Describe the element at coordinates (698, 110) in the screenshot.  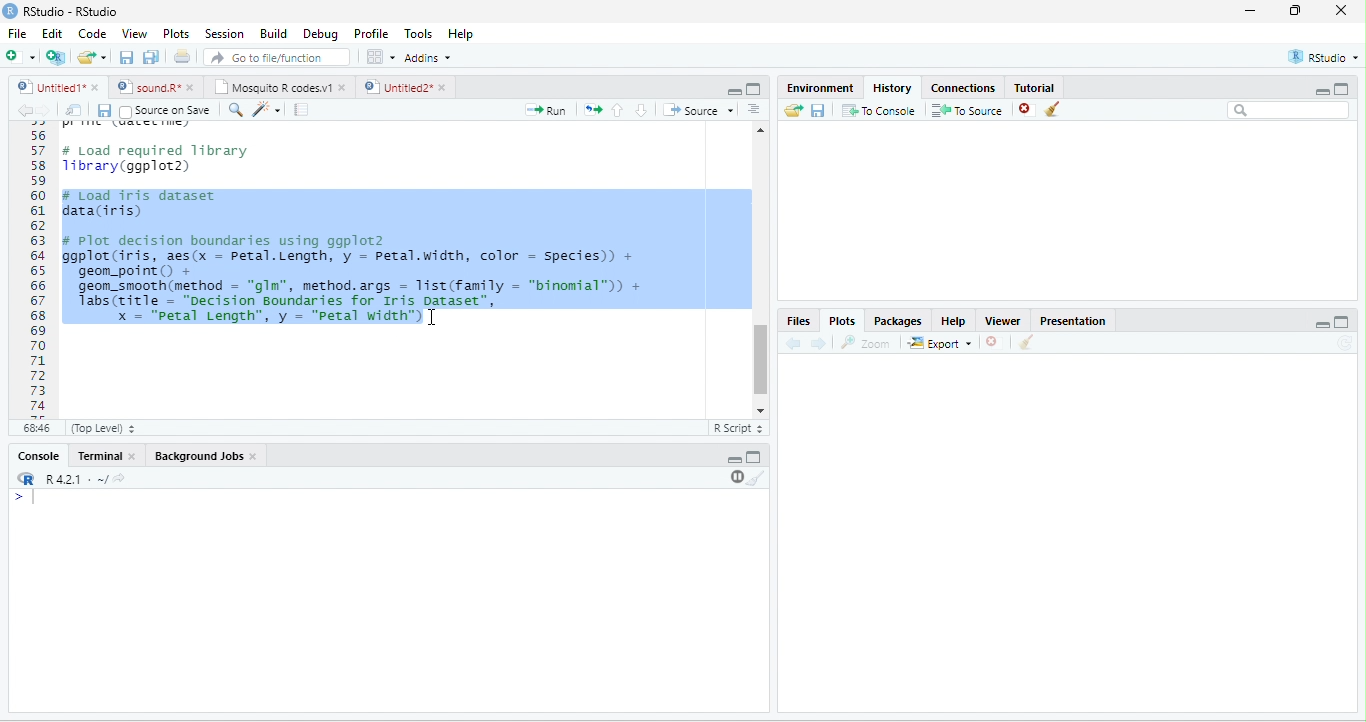
I see `Source` at that location.